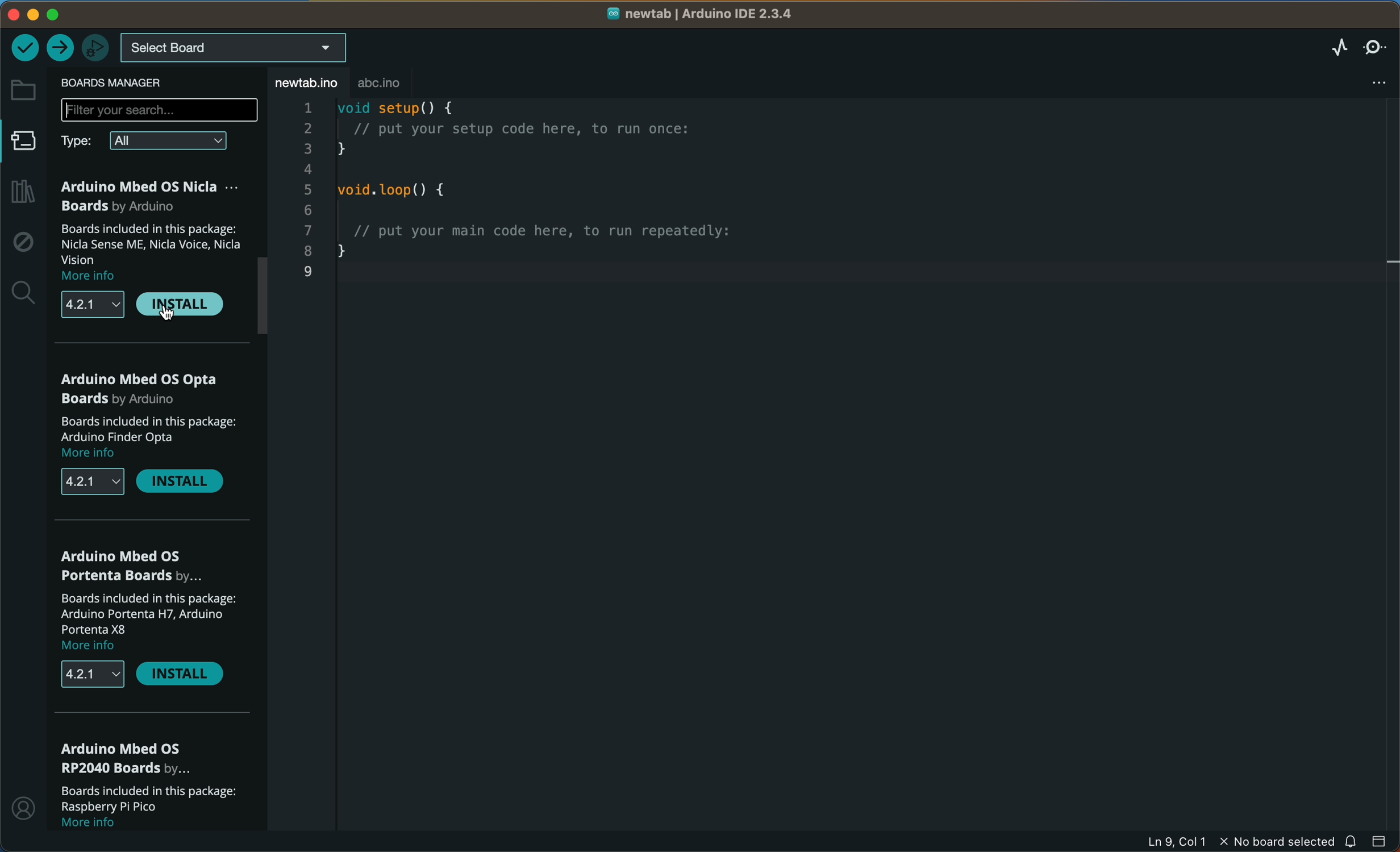 The height and width of the screenshot is (852, 1400). Describe the element at coordinates (61, 48) in the screenshot. I see `upload` at that location.